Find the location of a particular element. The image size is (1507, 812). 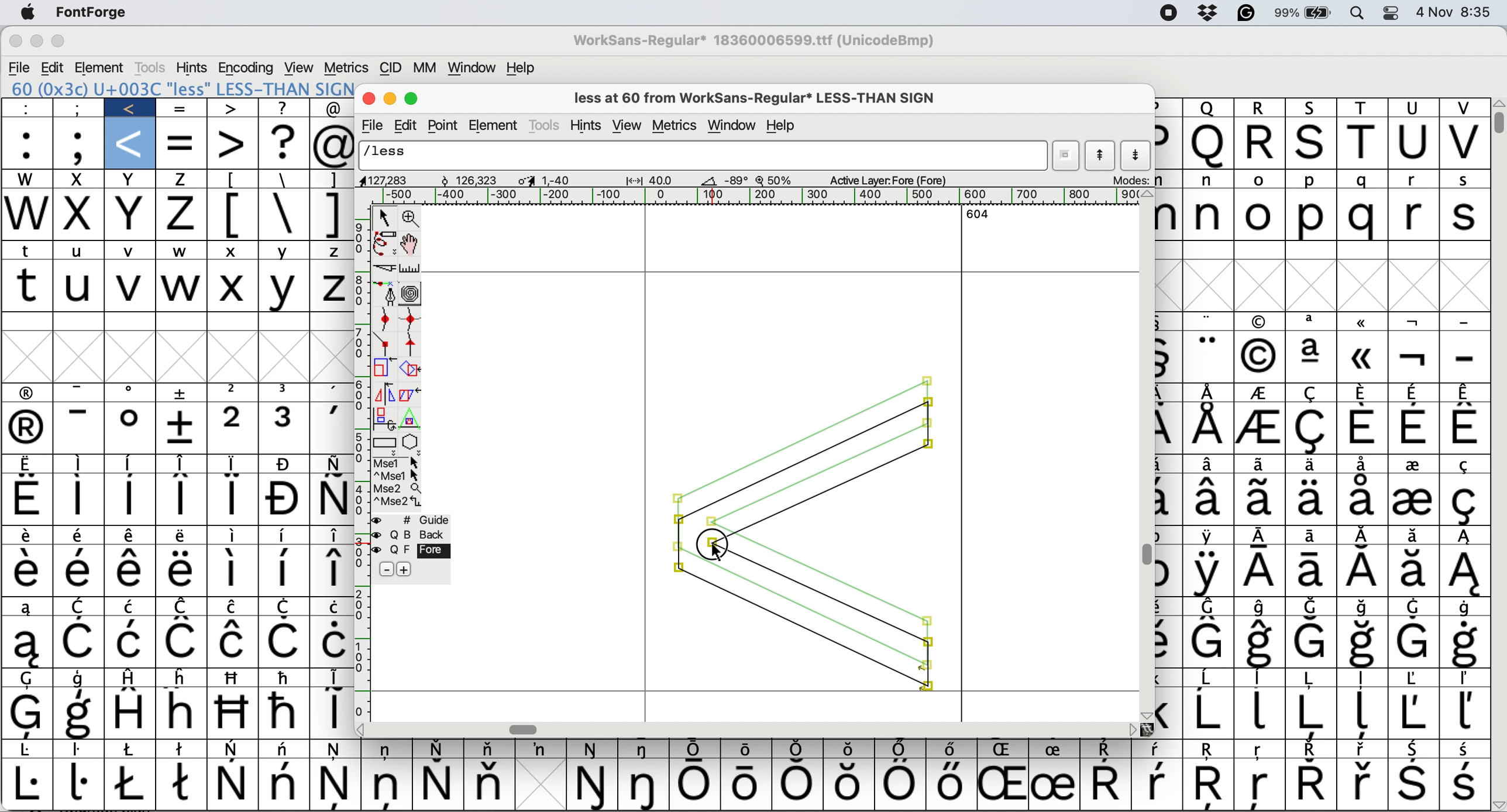

add a point and drag it out is located at coordinates (386, 294).